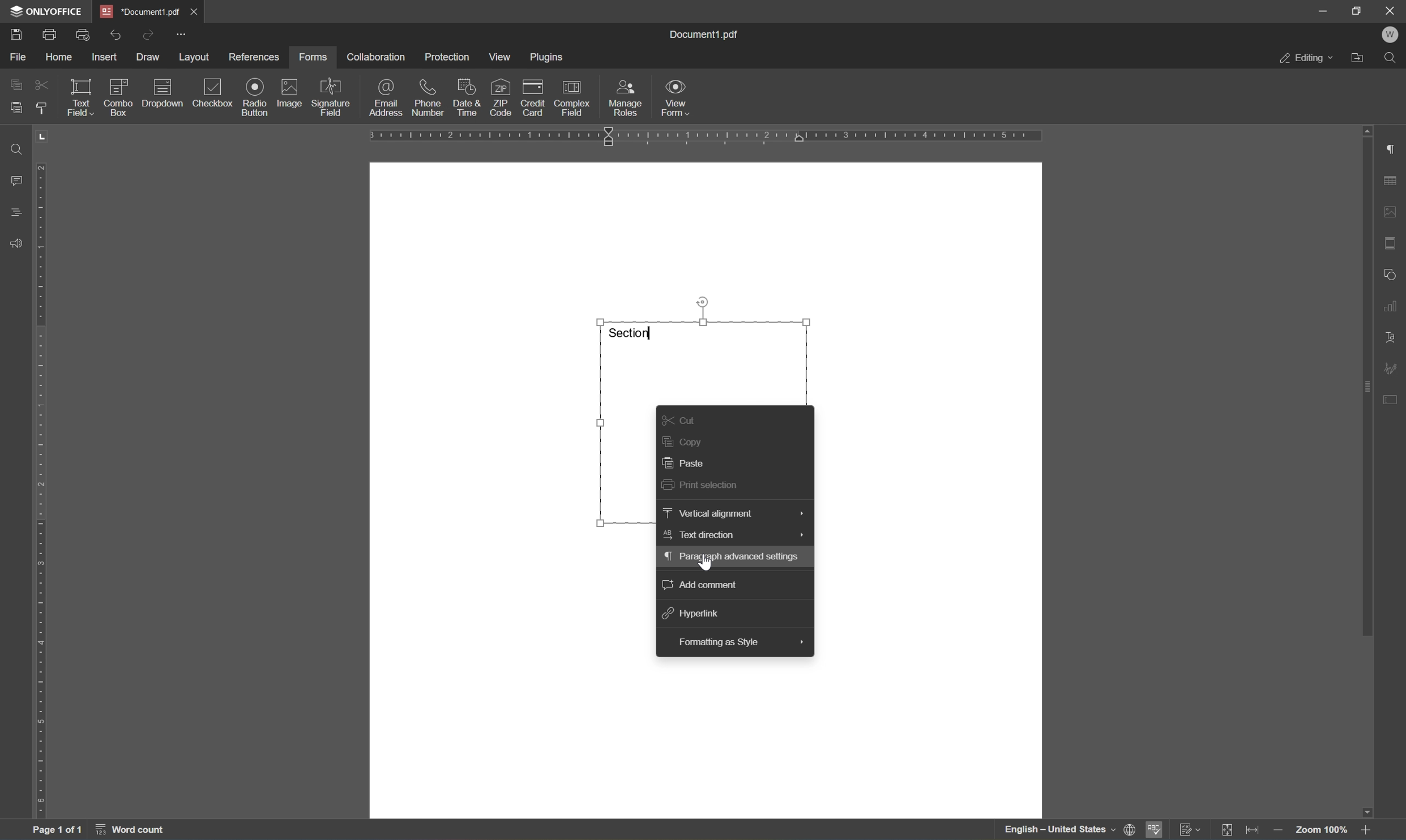  Describe the element at coordinates (1392, 36) in the screenshot. I see `W` at that location.